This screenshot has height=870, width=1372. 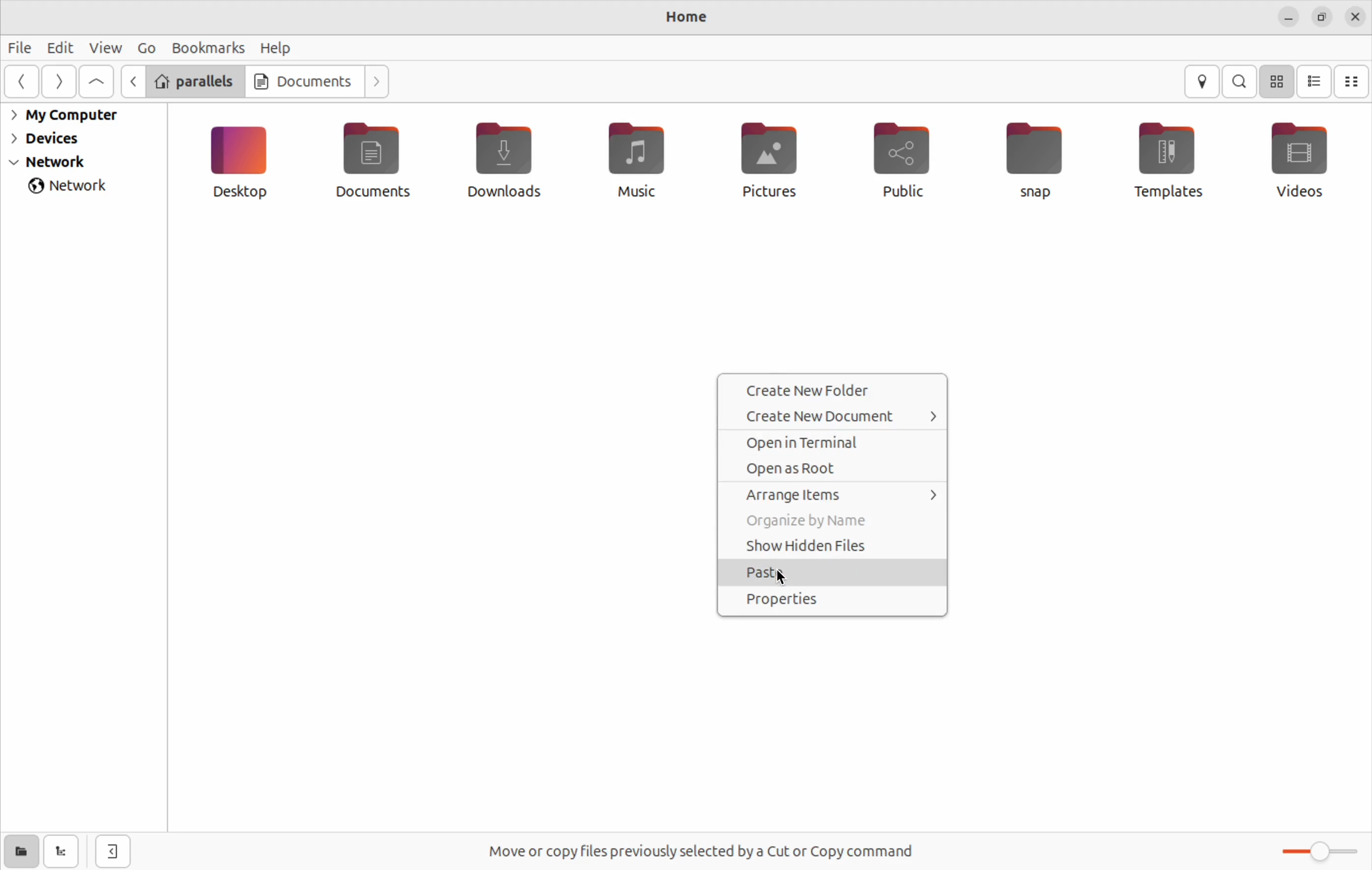 I want to click on Hideside bar, so click(x=108, y=850).